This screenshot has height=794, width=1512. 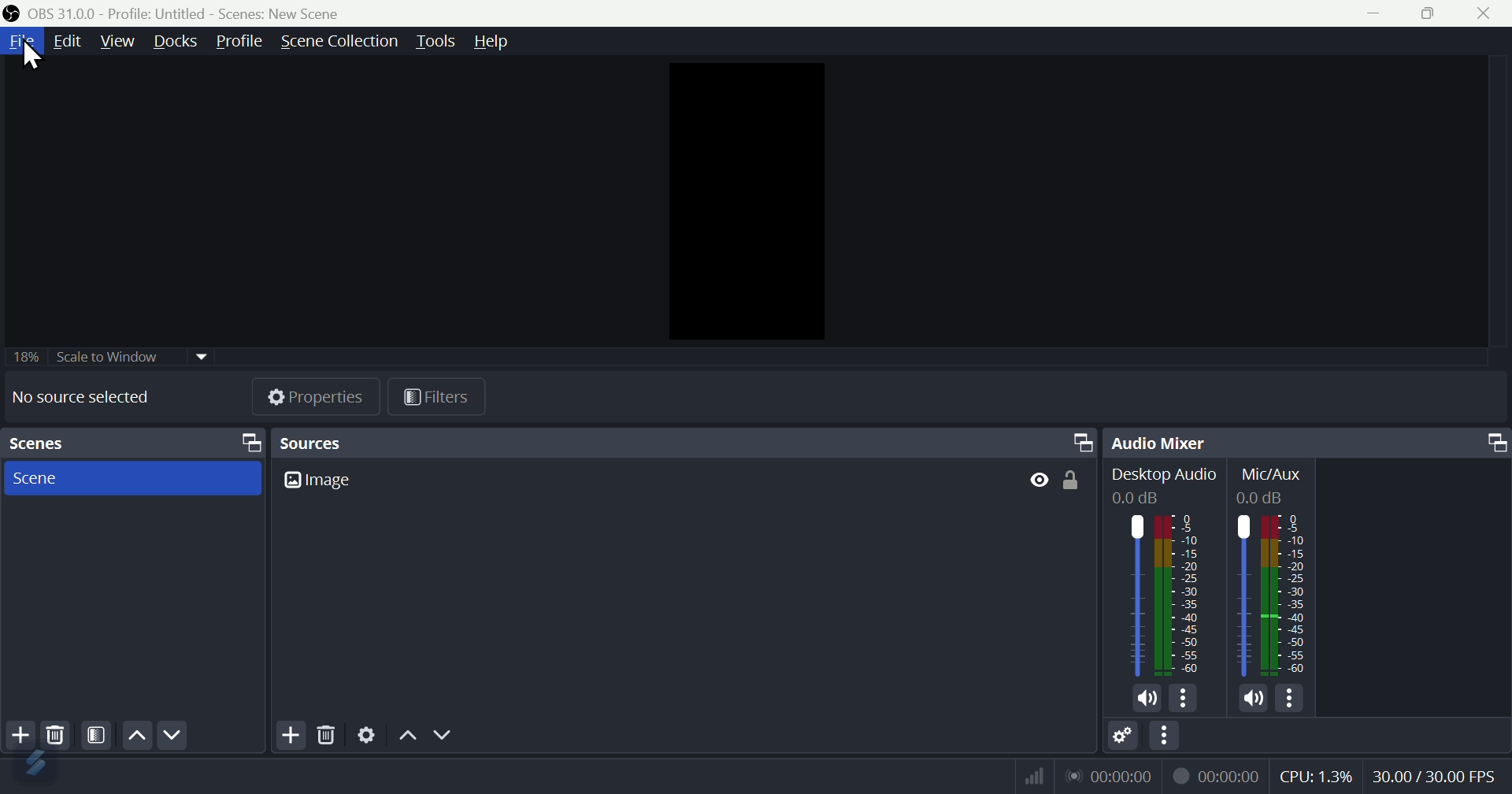 I want to click on scenes, so click(x=133, y=477).